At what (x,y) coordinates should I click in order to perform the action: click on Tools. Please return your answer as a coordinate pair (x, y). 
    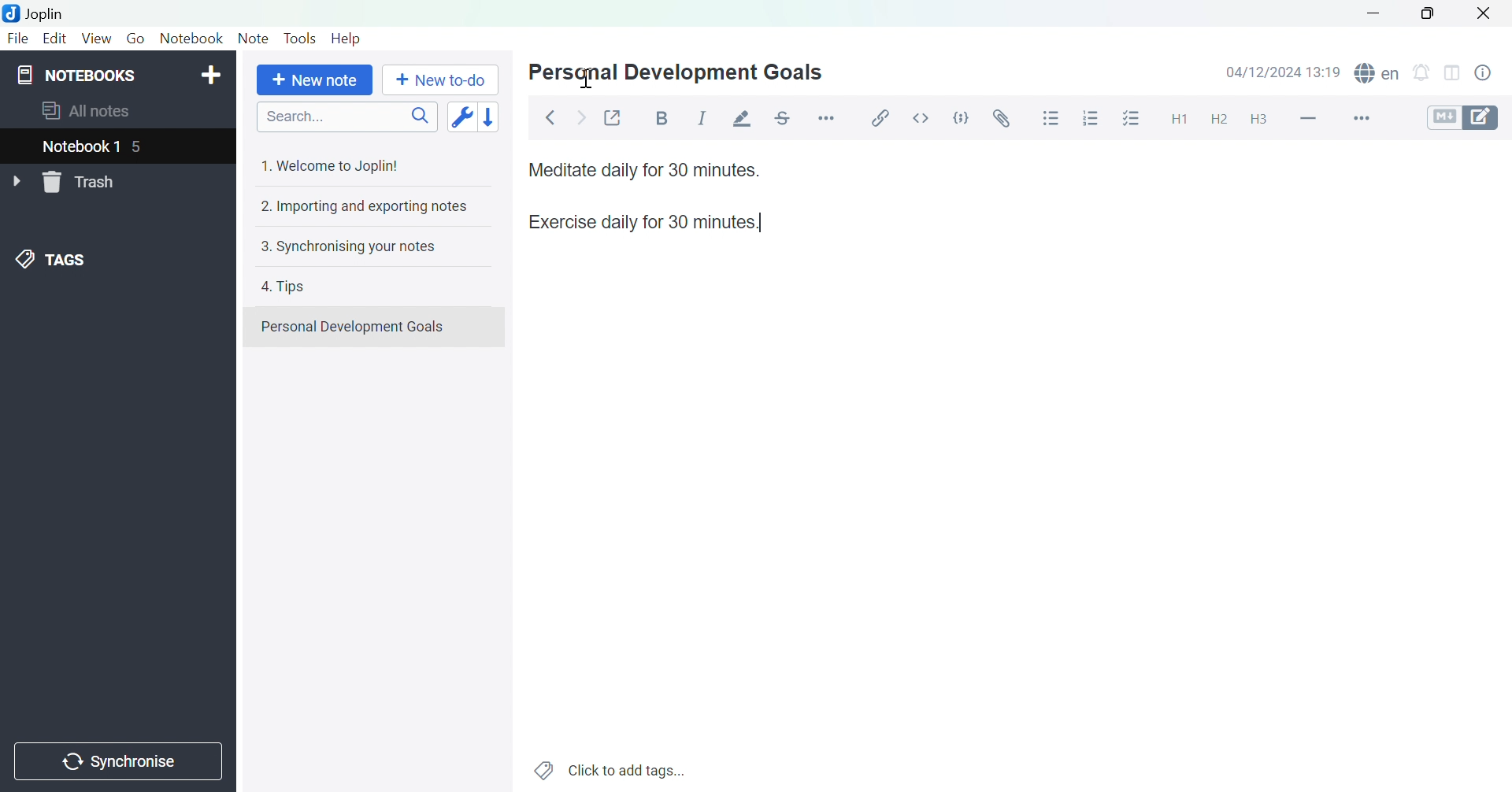
    Looking at the image, I should click on (302, 37).